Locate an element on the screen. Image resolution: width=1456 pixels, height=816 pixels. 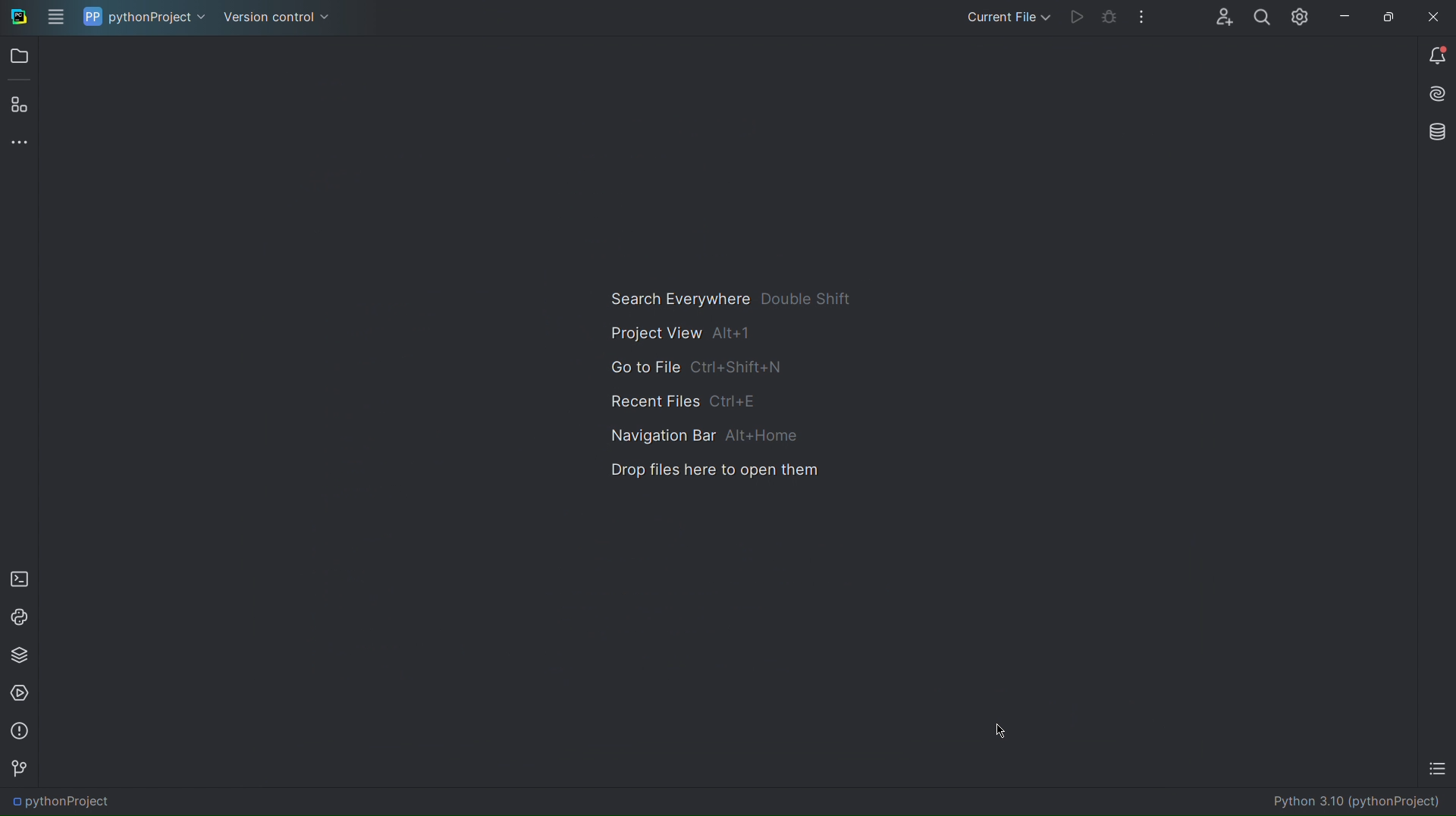
Drop files here to open them is located at coordinates (708, 472).